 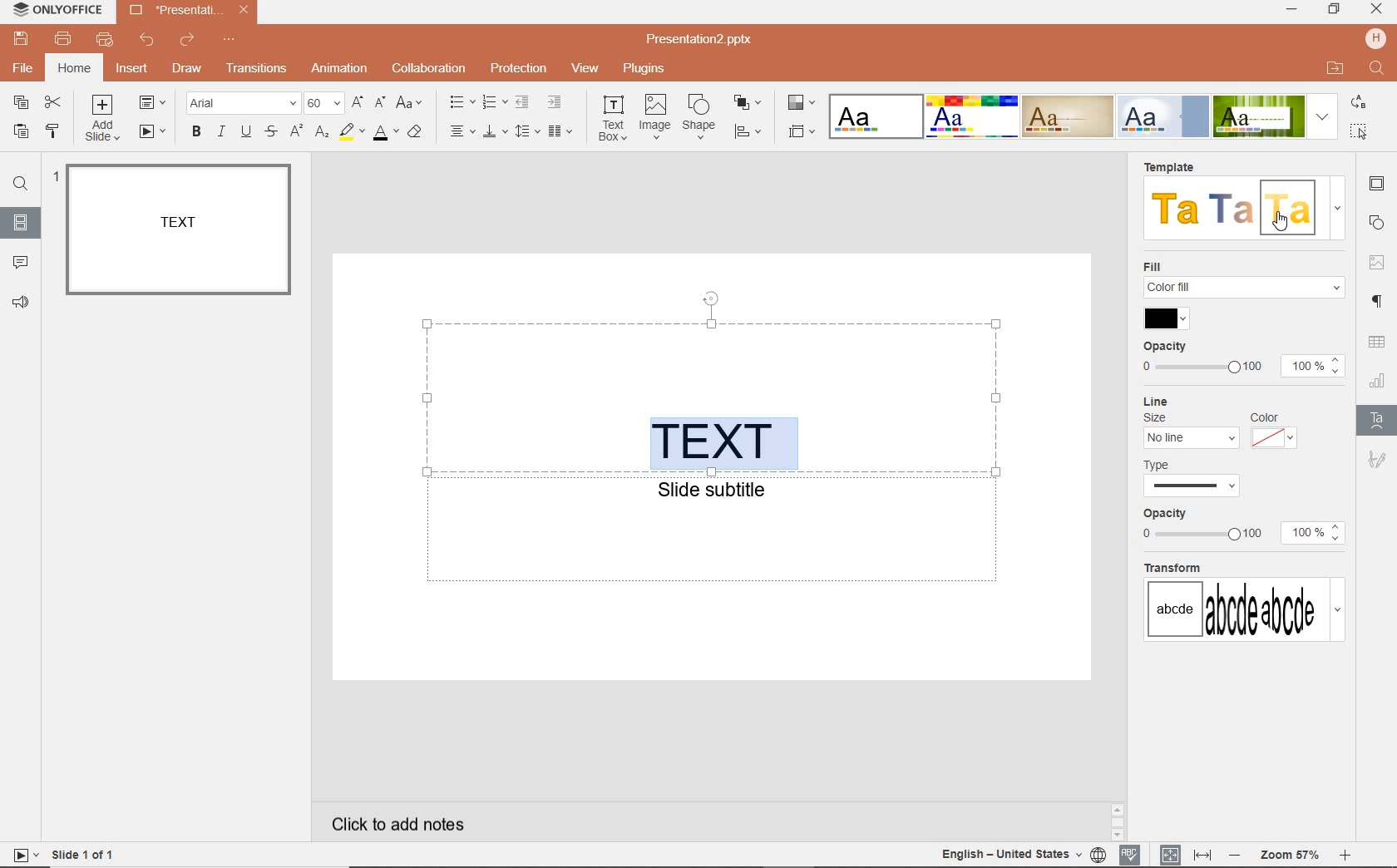 I want to click on opacity level, so click(x=1316, y=367).